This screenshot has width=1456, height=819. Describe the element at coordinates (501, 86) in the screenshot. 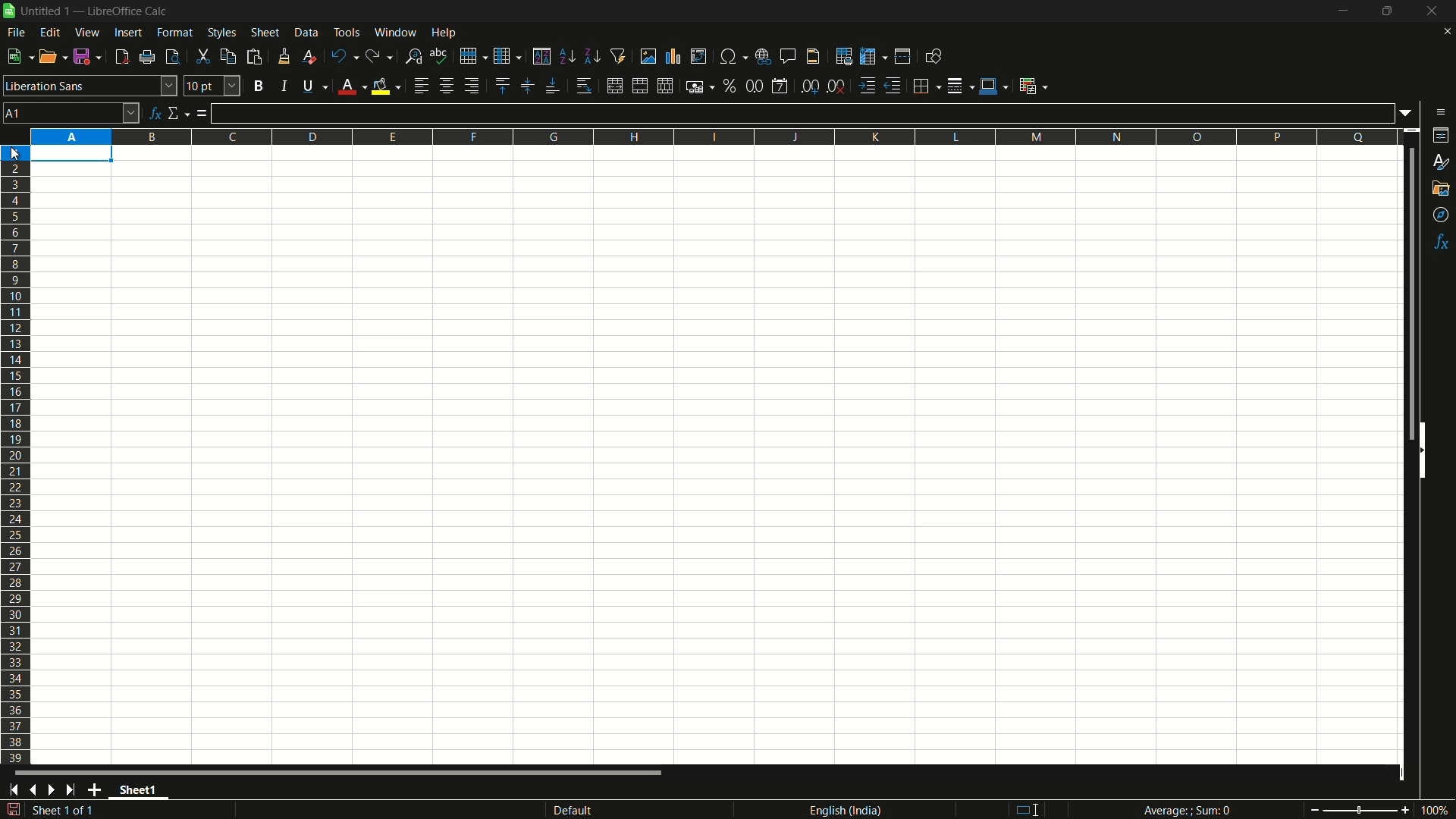

I see `align top` at that location.